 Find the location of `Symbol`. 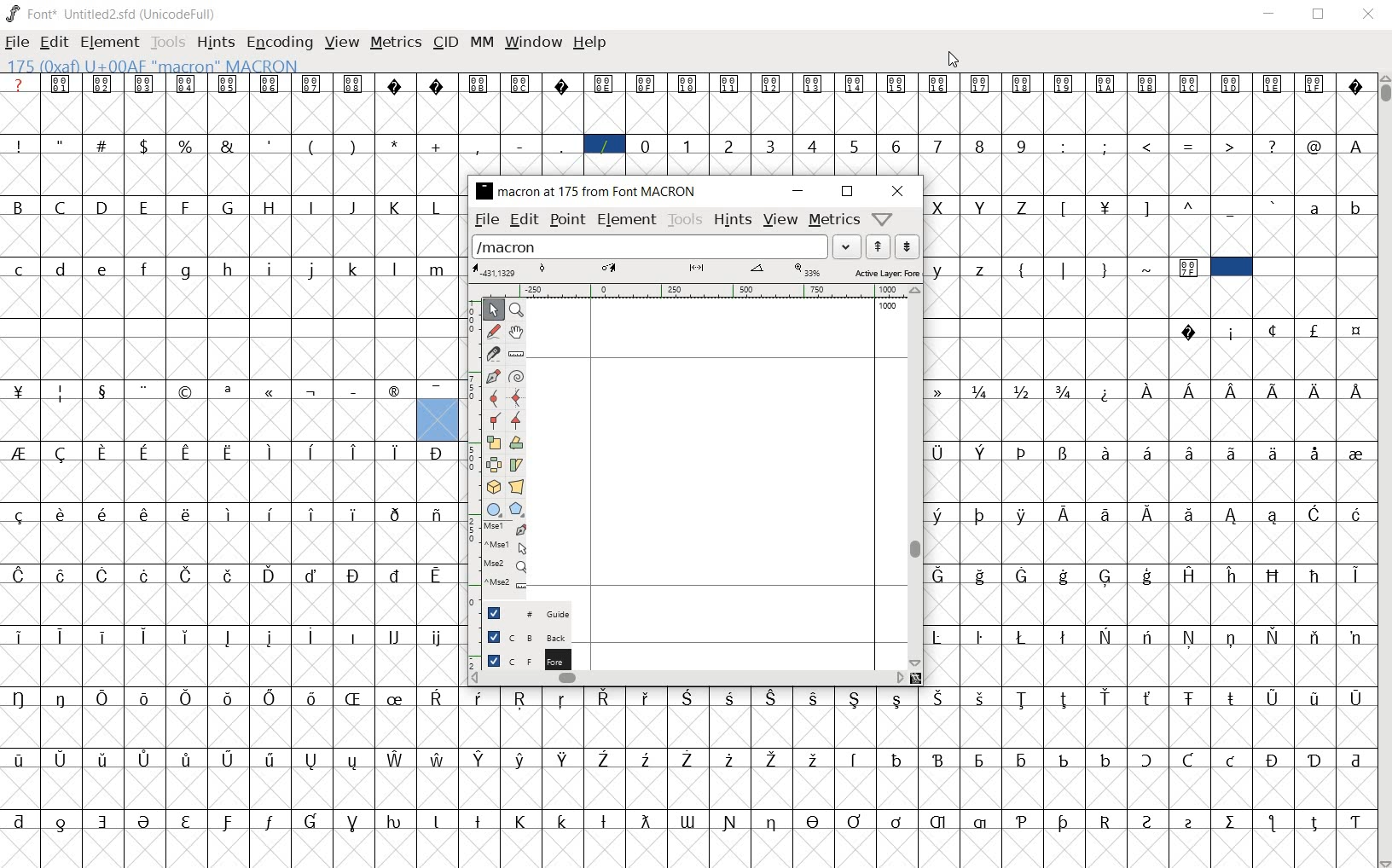

Symbol is located at coordinates (351, 84).